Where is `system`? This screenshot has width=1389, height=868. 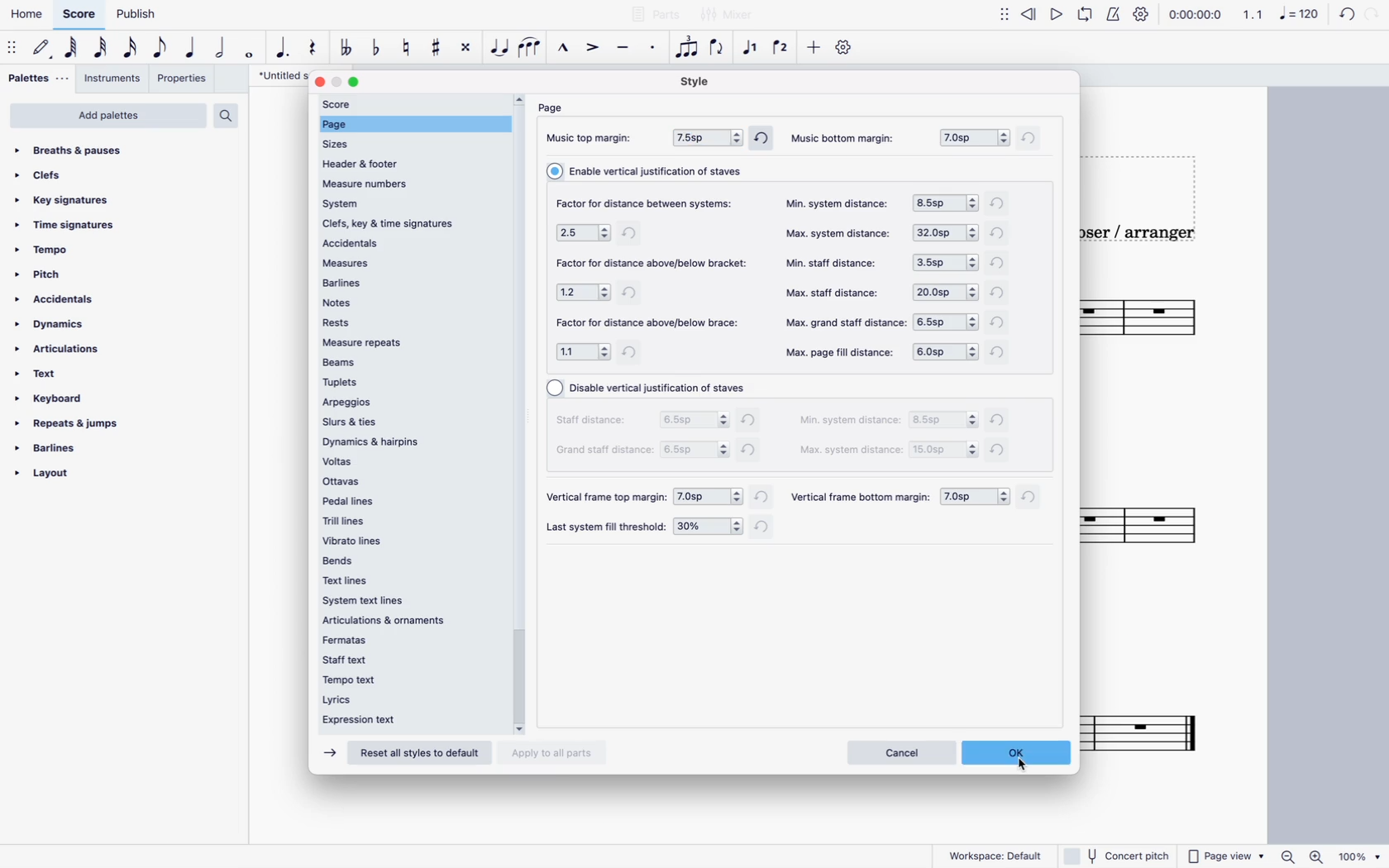
system is located at coordinates (409, 203).